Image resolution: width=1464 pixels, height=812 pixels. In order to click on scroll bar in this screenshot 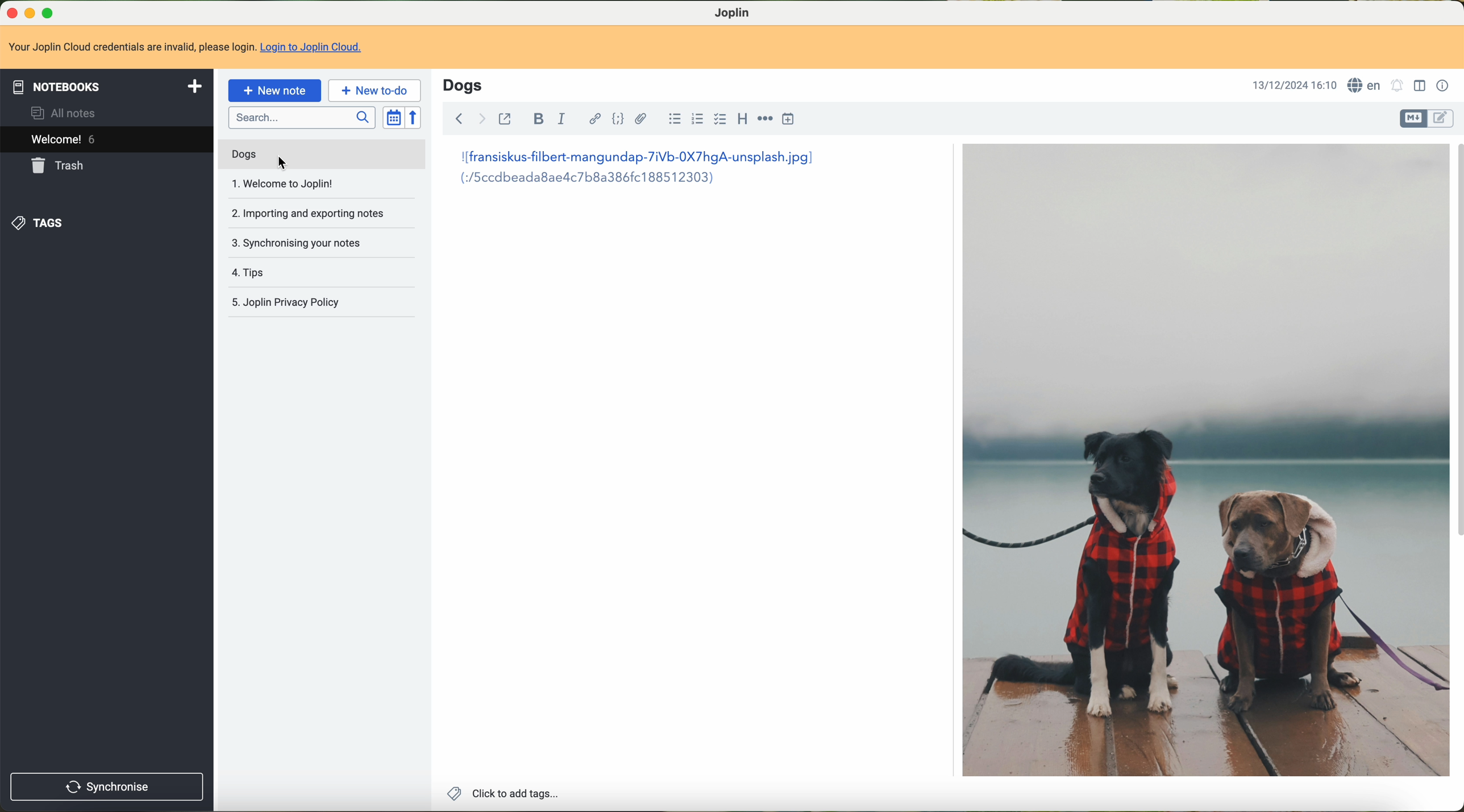, I will do `click(1455, 345)`.